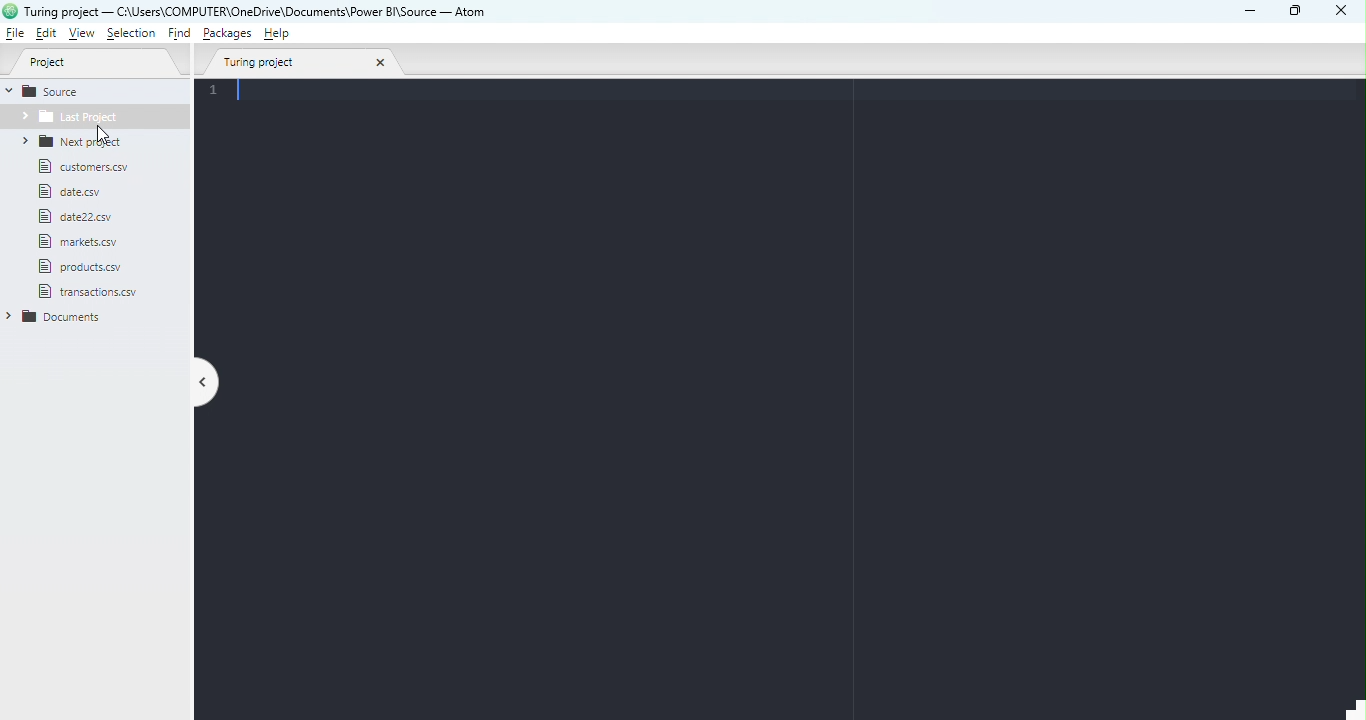 This screenshot has width=1366, height=720. What do you see at coordinates (91, 168) in the screenshot?
I see `File` at bounding box center [91, 168].